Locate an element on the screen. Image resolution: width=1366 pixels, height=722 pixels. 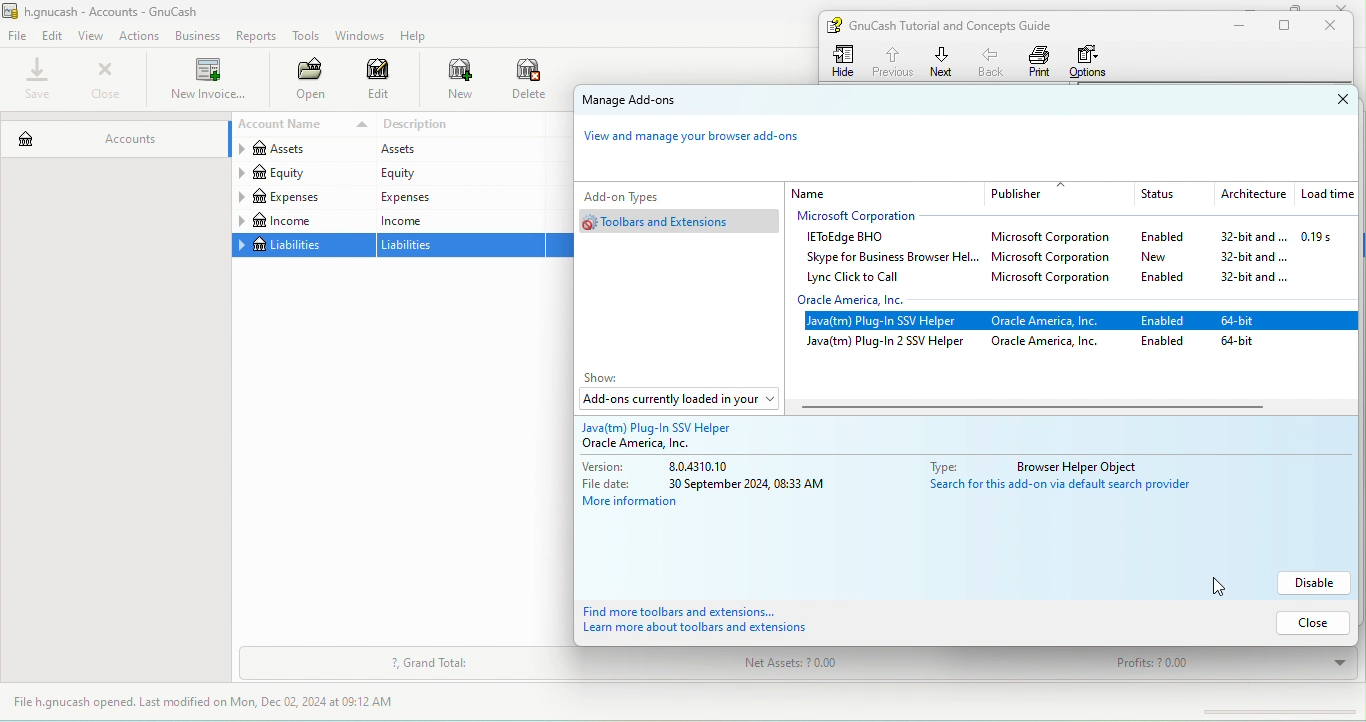
options is located at coordinates (1093, 61).